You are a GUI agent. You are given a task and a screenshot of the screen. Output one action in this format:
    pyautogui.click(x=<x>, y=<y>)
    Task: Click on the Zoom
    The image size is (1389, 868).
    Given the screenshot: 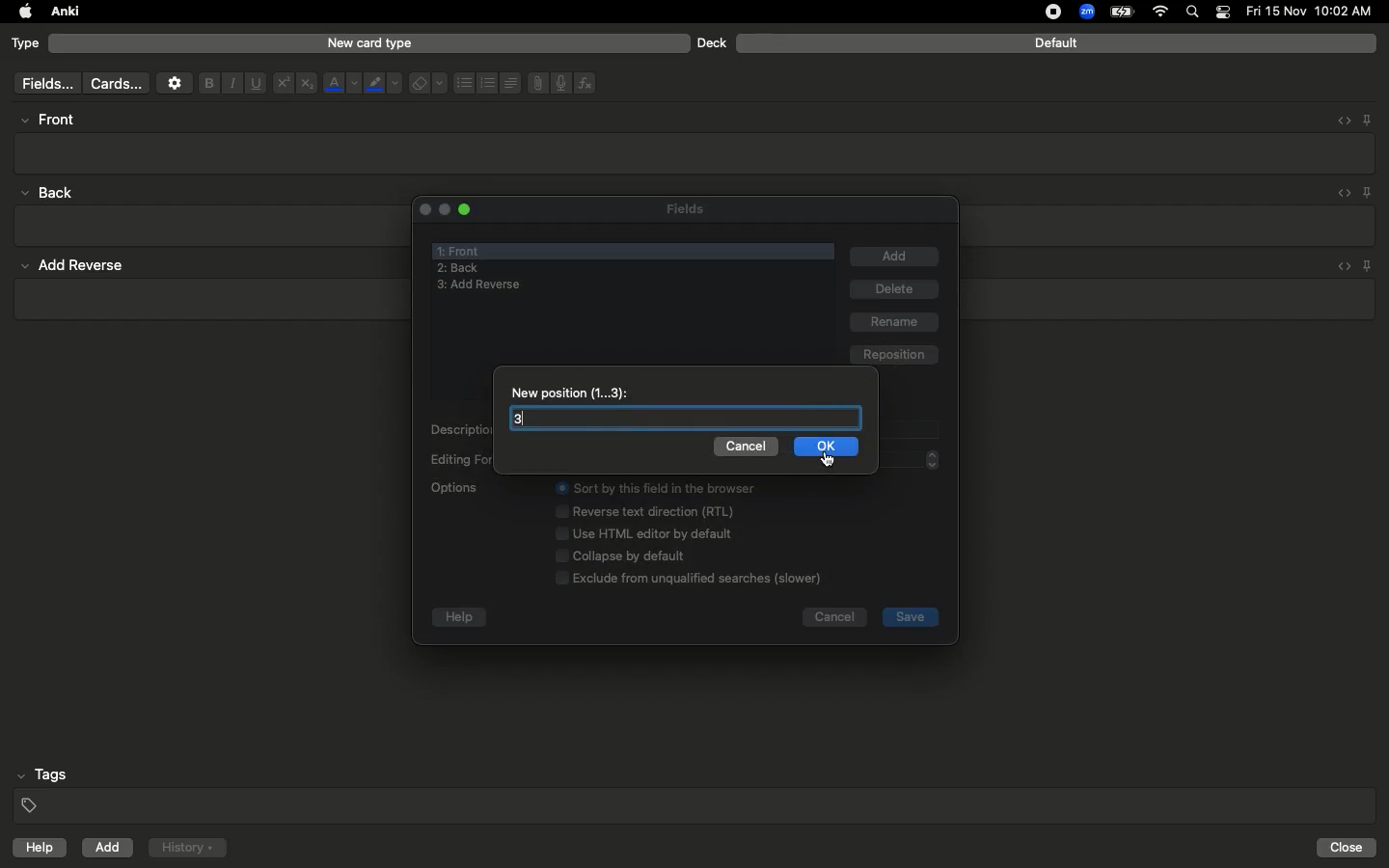 What is the action you would take?
    pyautogui.click(x=1085, y=13)
    